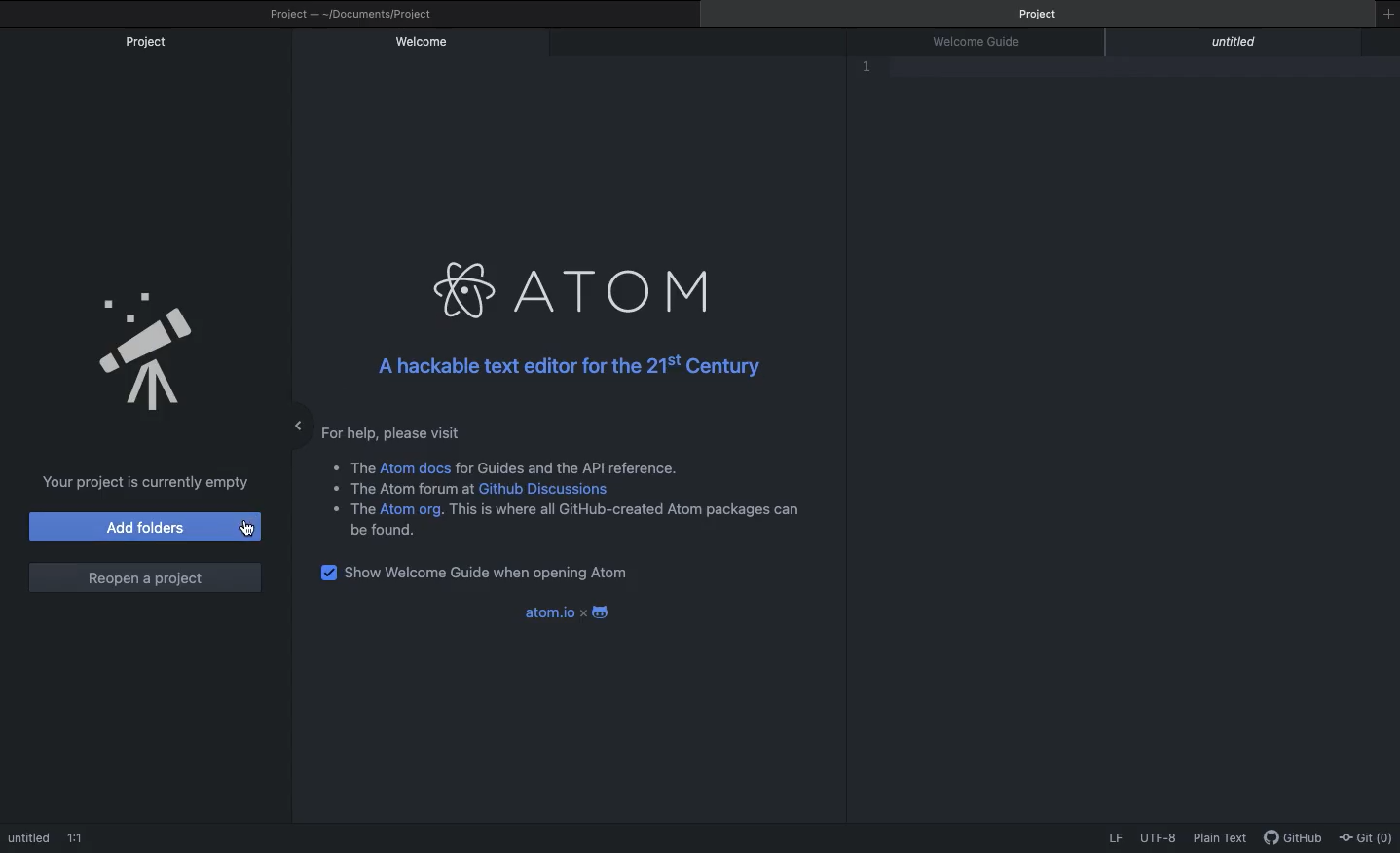 The width and height of the screenshot is (1400, 853). Describe the element at coordinates (79, 838) in the screenshot. I see `1:!` at that location.